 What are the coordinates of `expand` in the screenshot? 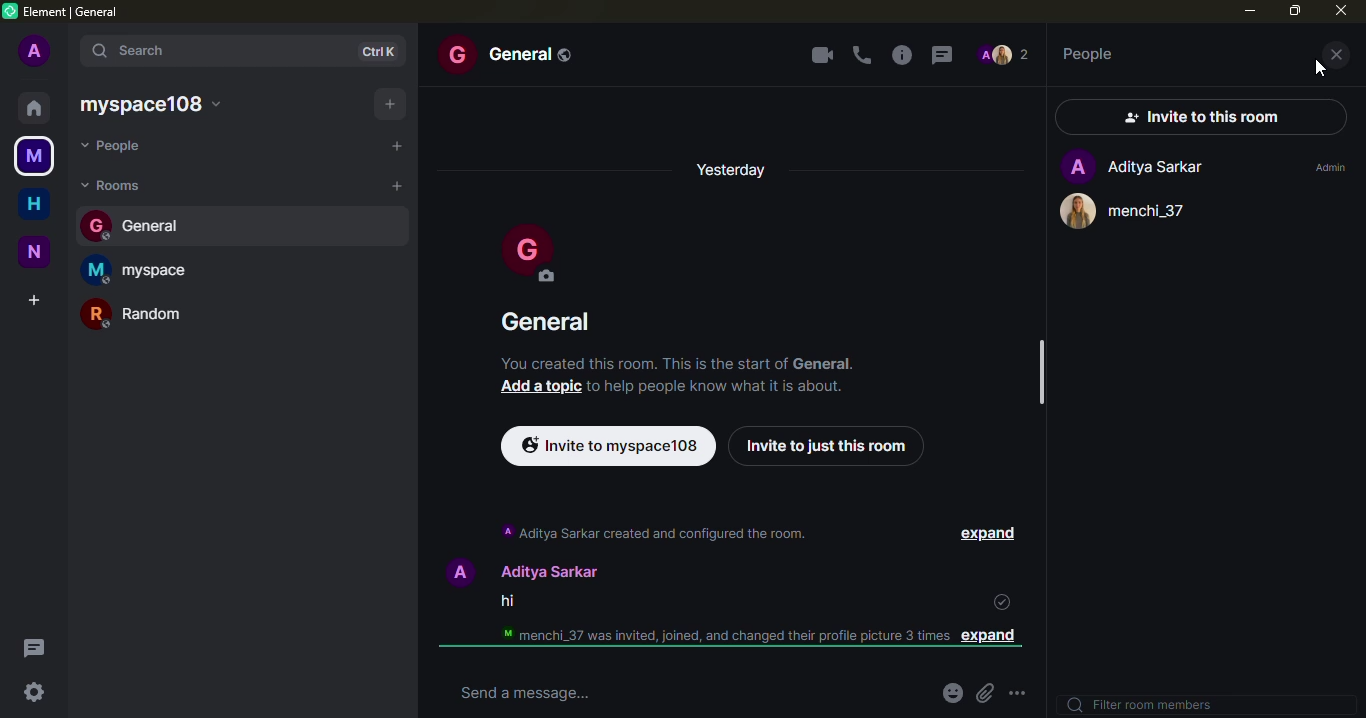 It's located at (972, 534).